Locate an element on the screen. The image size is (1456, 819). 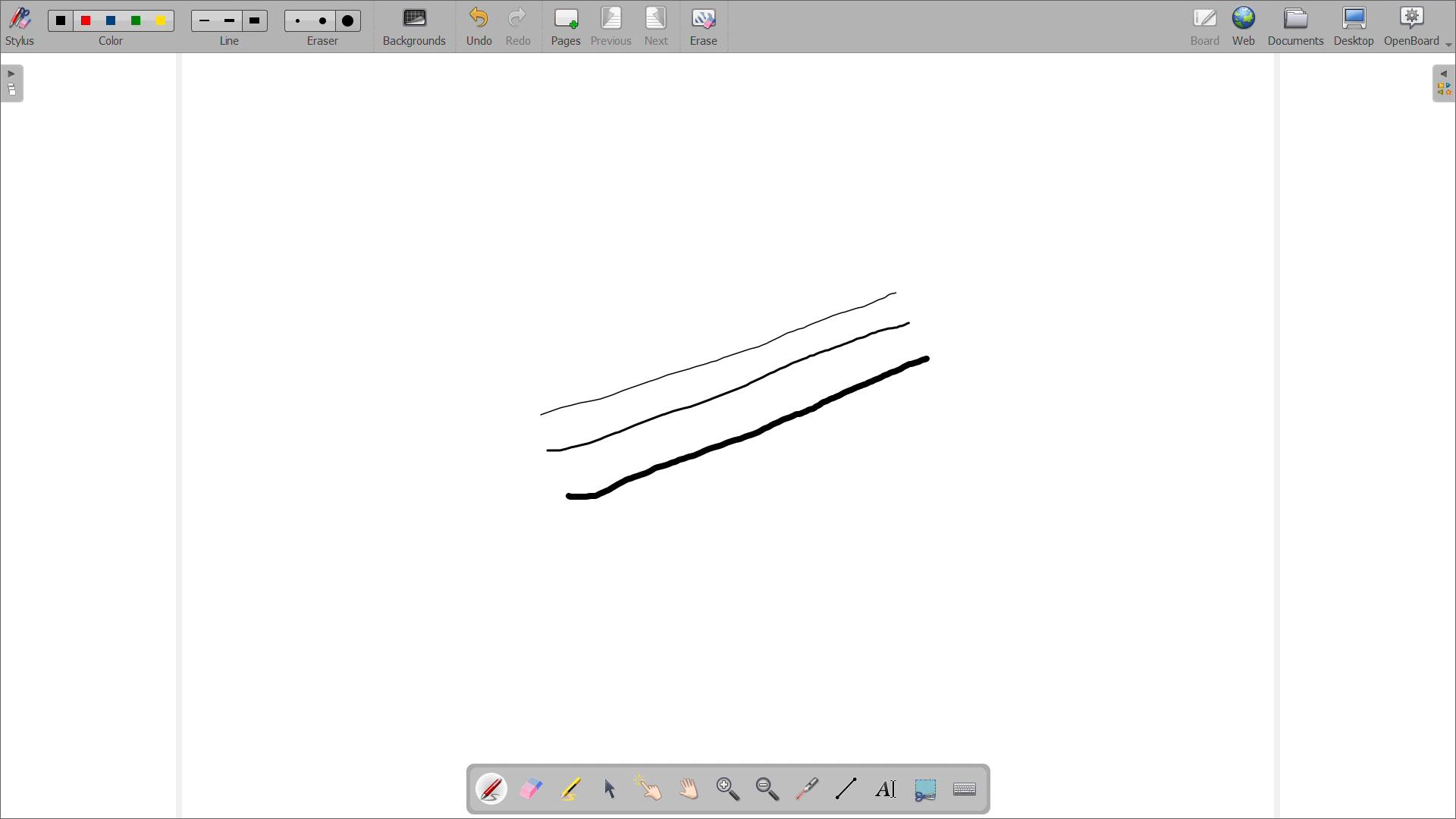
select eraser size is located at coordinates (324, 41).